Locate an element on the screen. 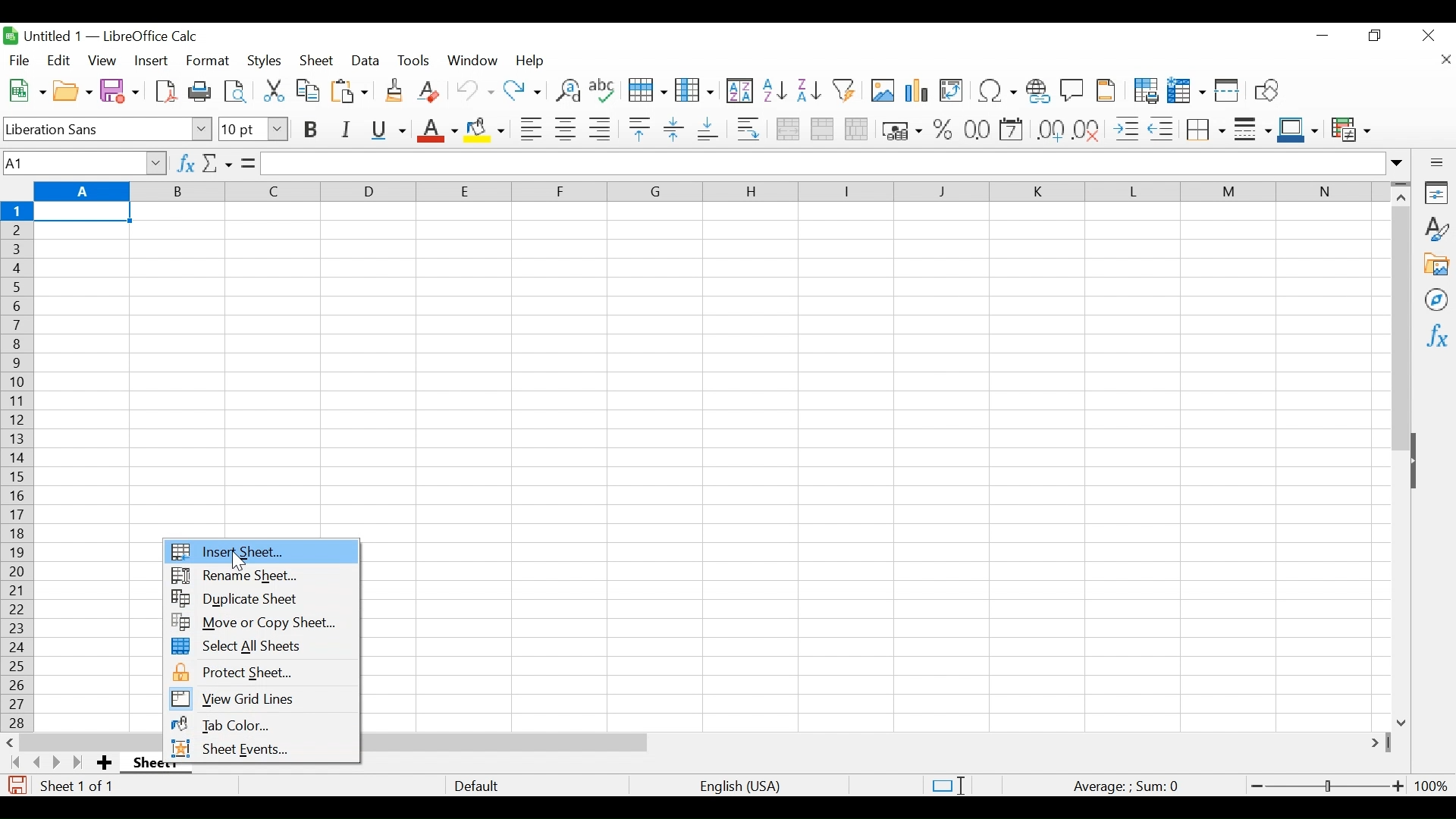  Insert Chart is located at coordinates (916, 91).